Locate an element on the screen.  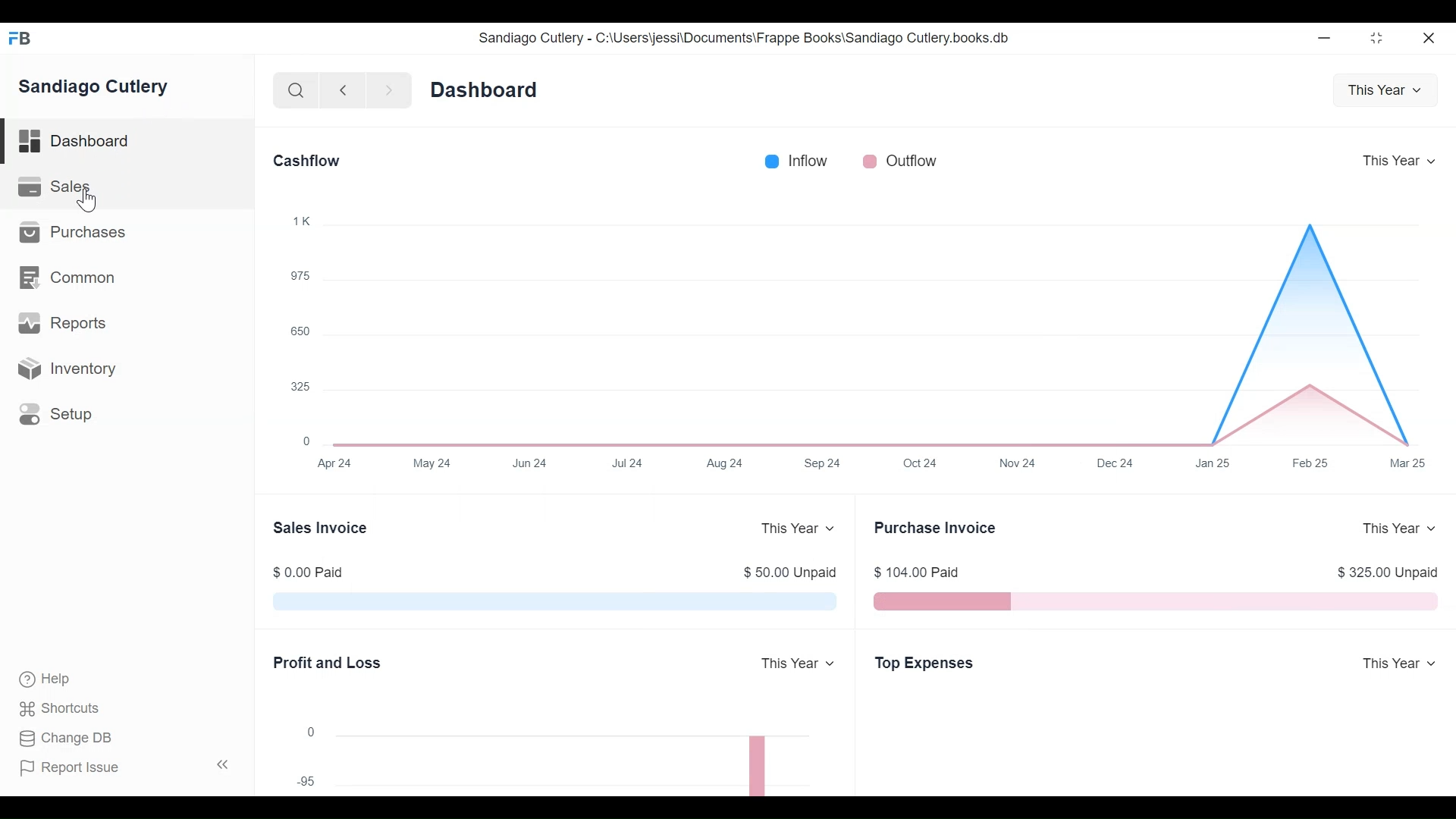
$ 0.00 Paid is located at coordinates (307, 573).